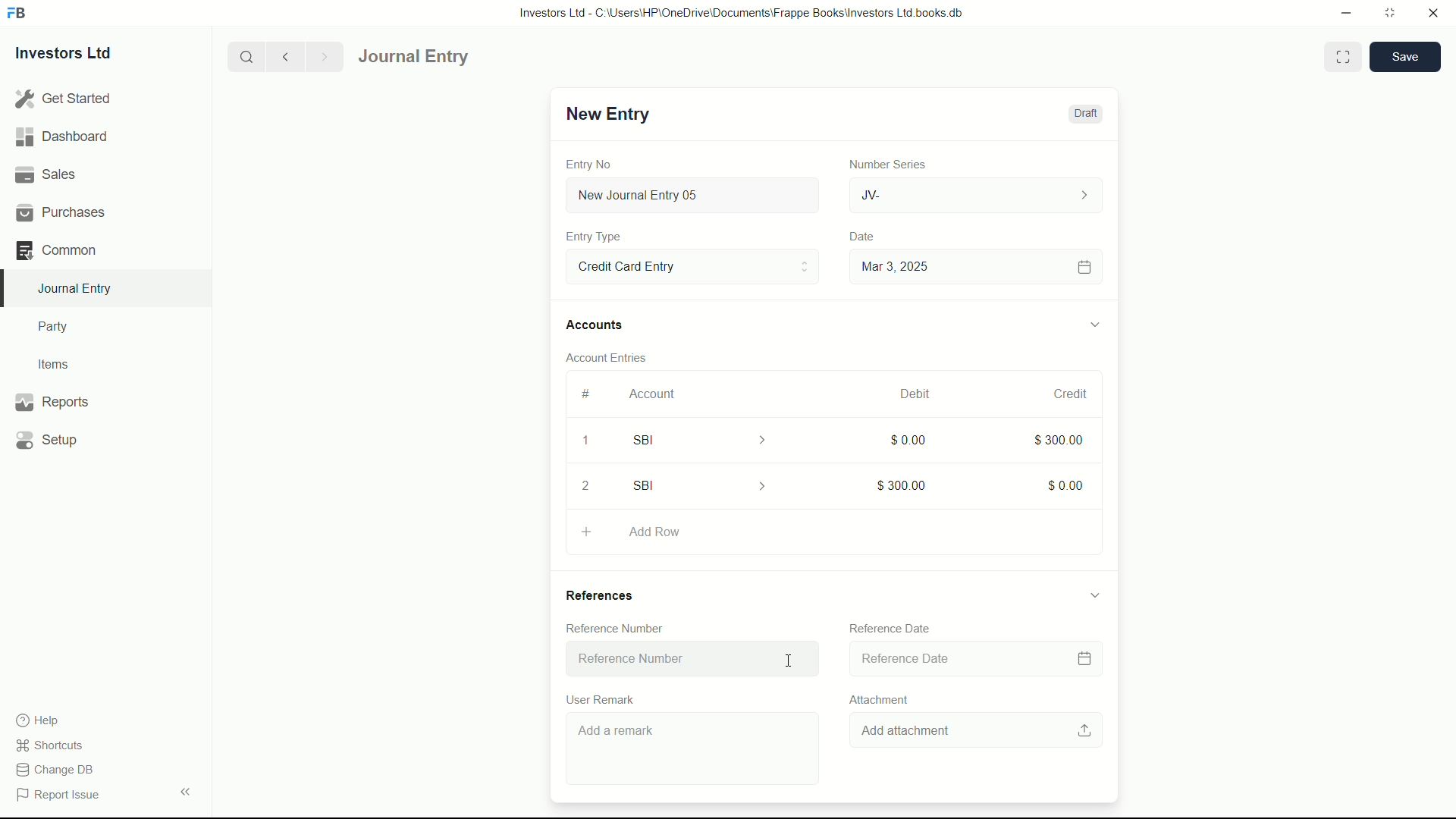 The width and height of the screenshot is (1456, 819). Describe the element at coordinates (901, 439) in the screenshot. I see `$0.00` at that location.